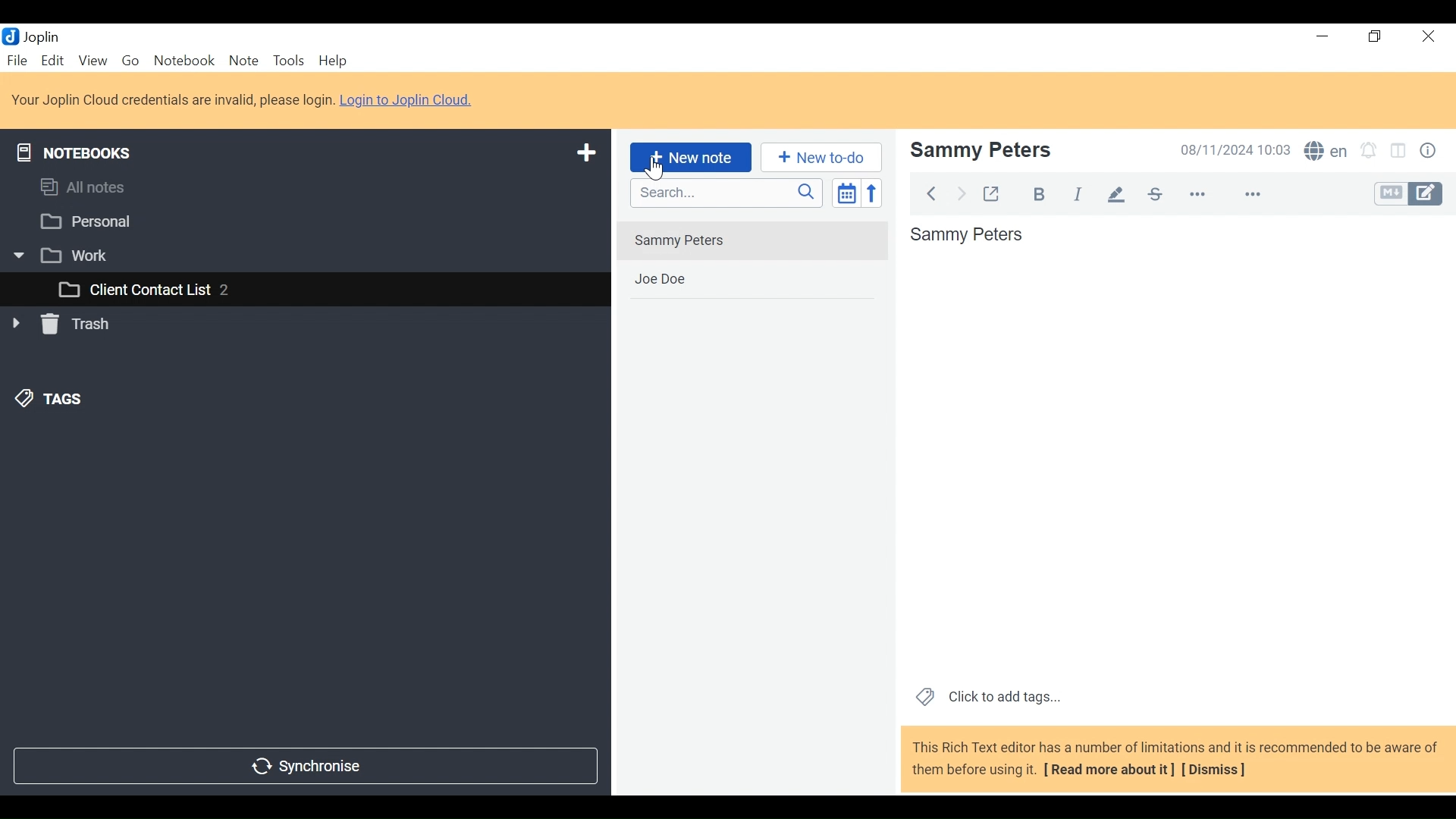 The height and width of the screenshot is (819, 1456). I want to click on Toggle editor layout, so click(1402, 150).